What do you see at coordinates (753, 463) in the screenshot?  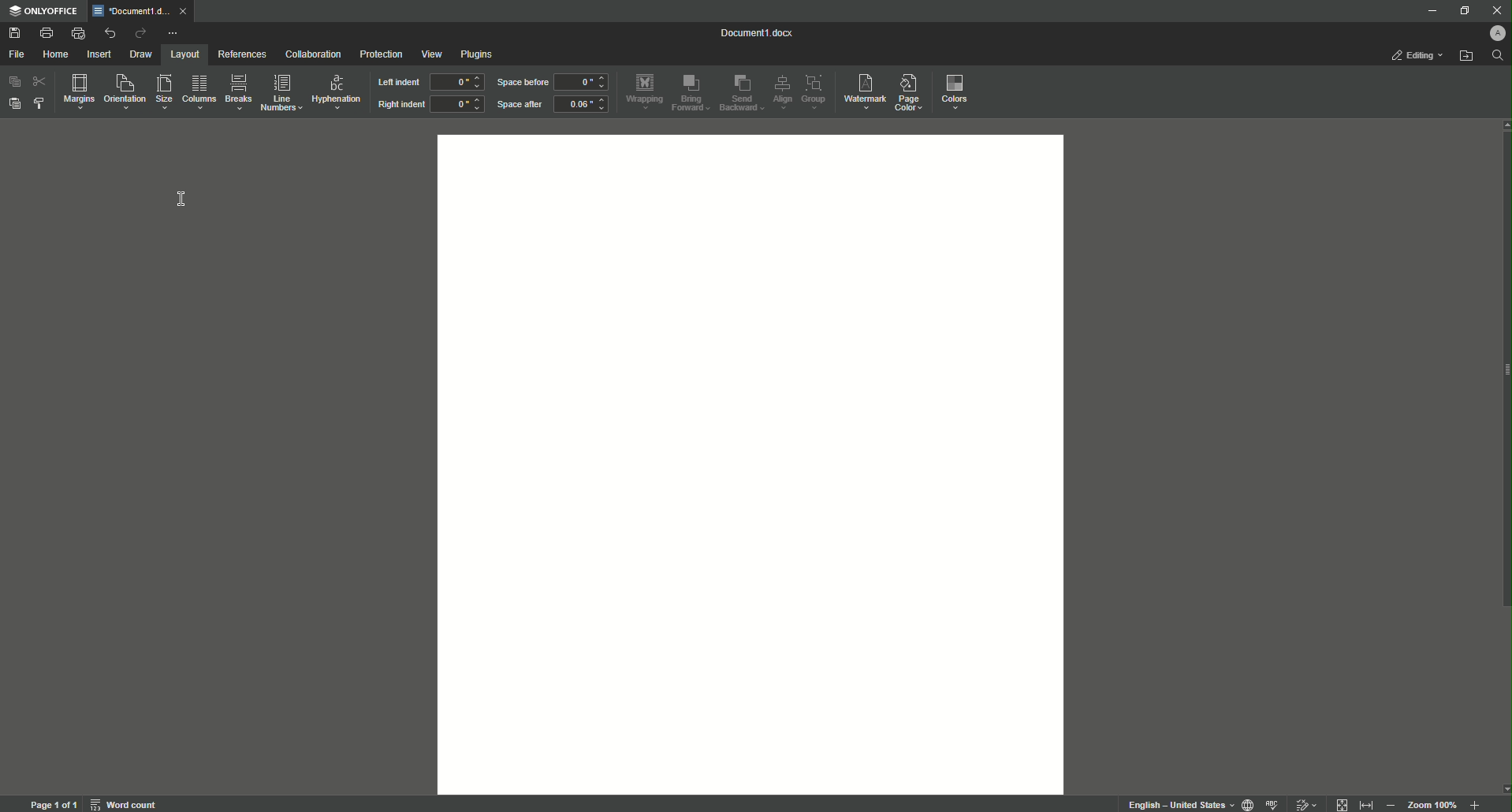 I see `Blank page` at bounding box center [753, 463].